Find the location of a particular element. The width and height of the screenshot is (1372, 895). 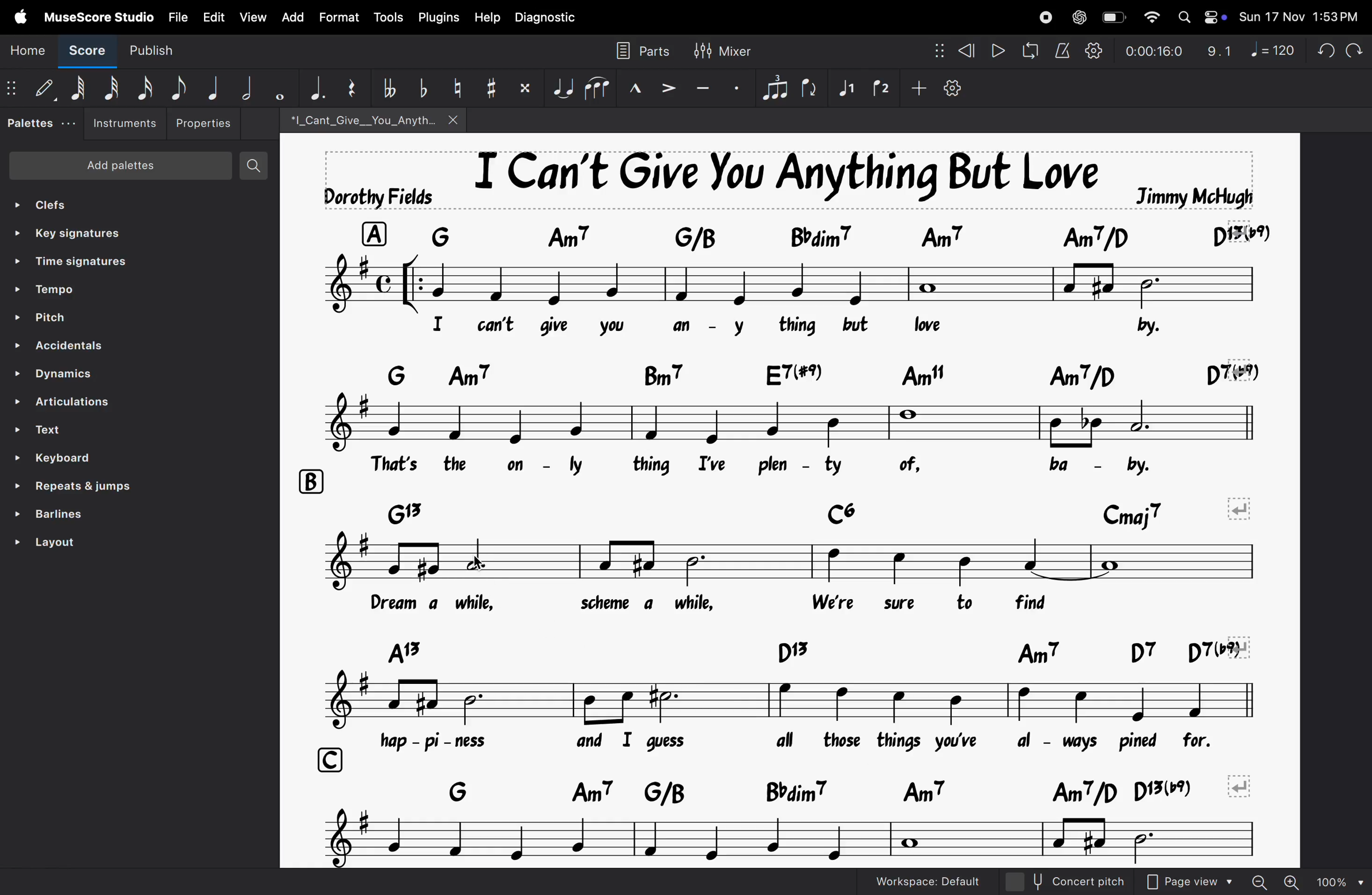

publish is located at coordinates (156, 52).